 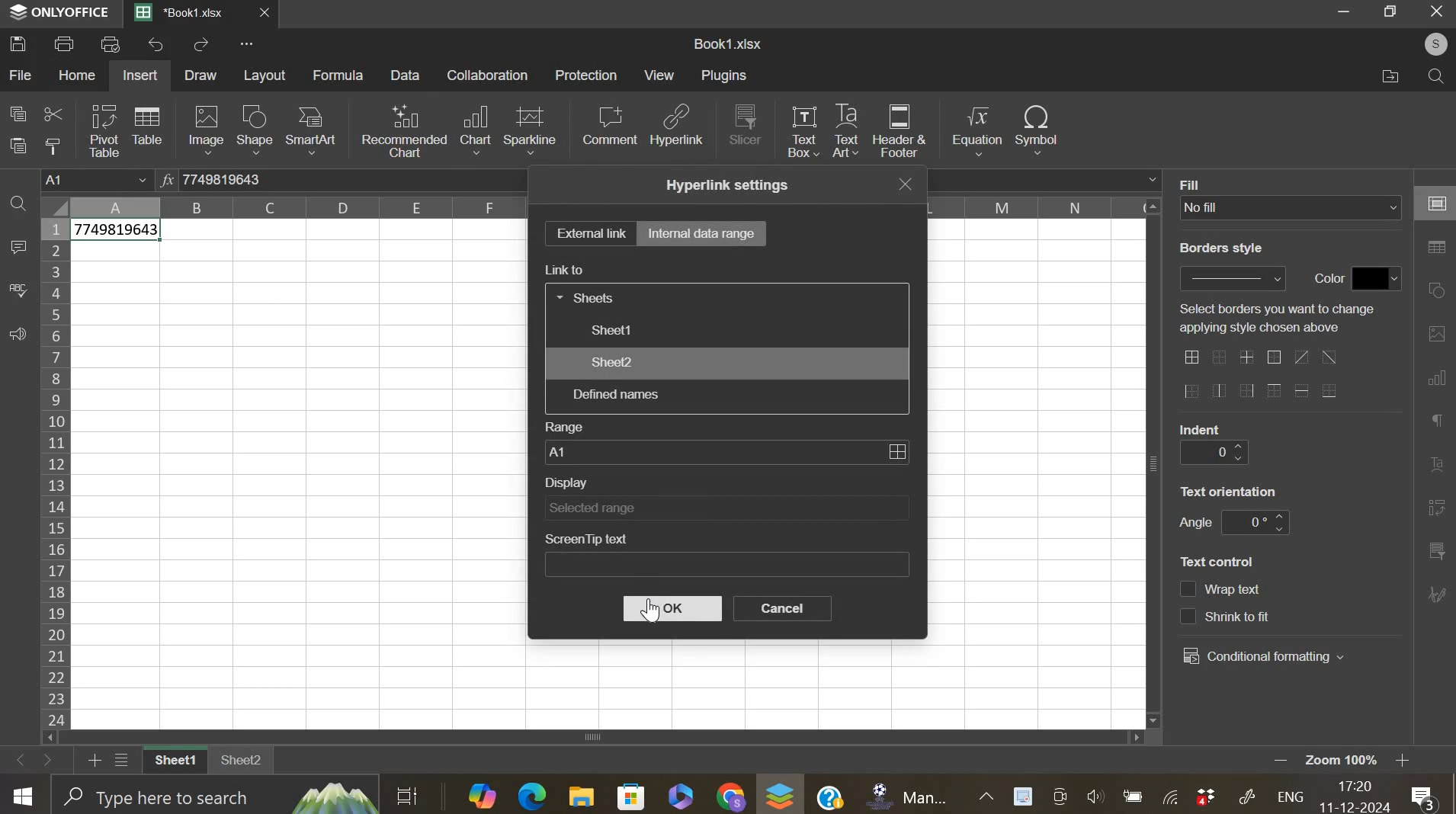 What do you see at coordinates (1213, 453) in the screenshot?
I see `indent` at bounding box center [1213, 453].